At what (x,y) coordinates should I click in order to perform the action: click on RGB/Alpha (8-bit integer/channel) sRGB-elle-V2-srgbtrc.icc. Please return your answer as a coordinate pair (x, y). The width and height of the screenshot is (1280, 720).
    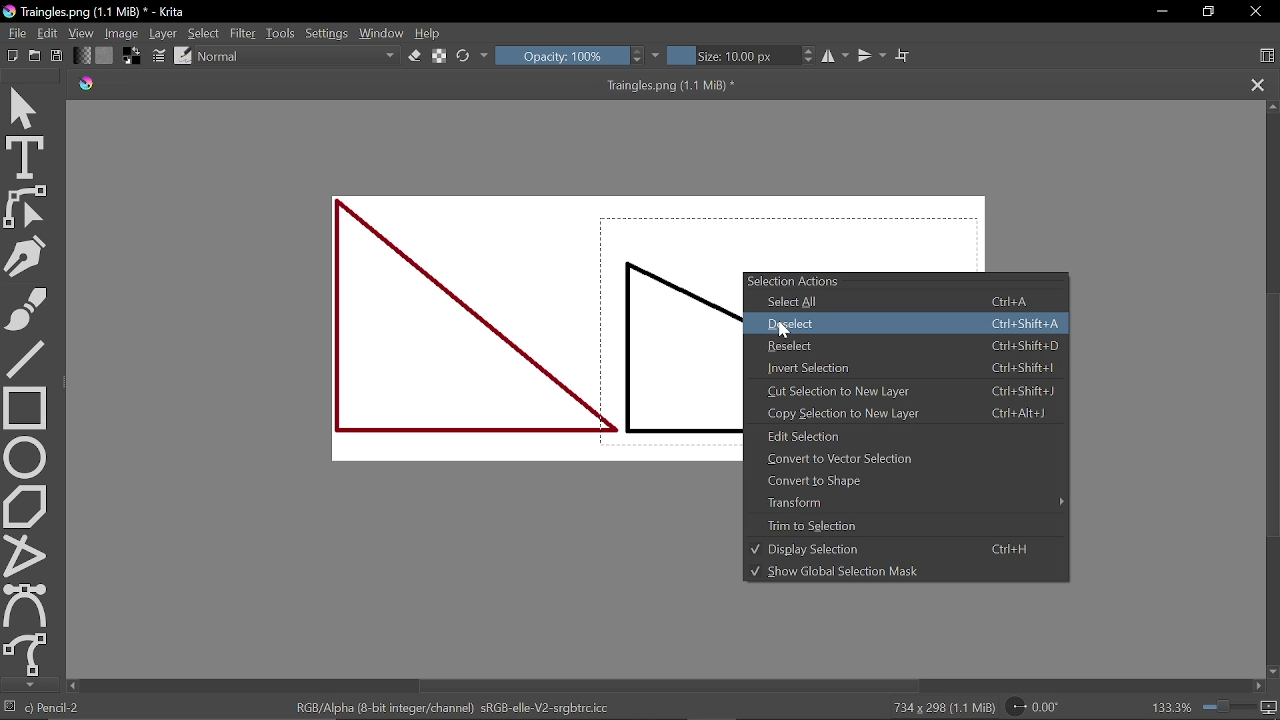
    Looking at the image, I should click on (450, 706).